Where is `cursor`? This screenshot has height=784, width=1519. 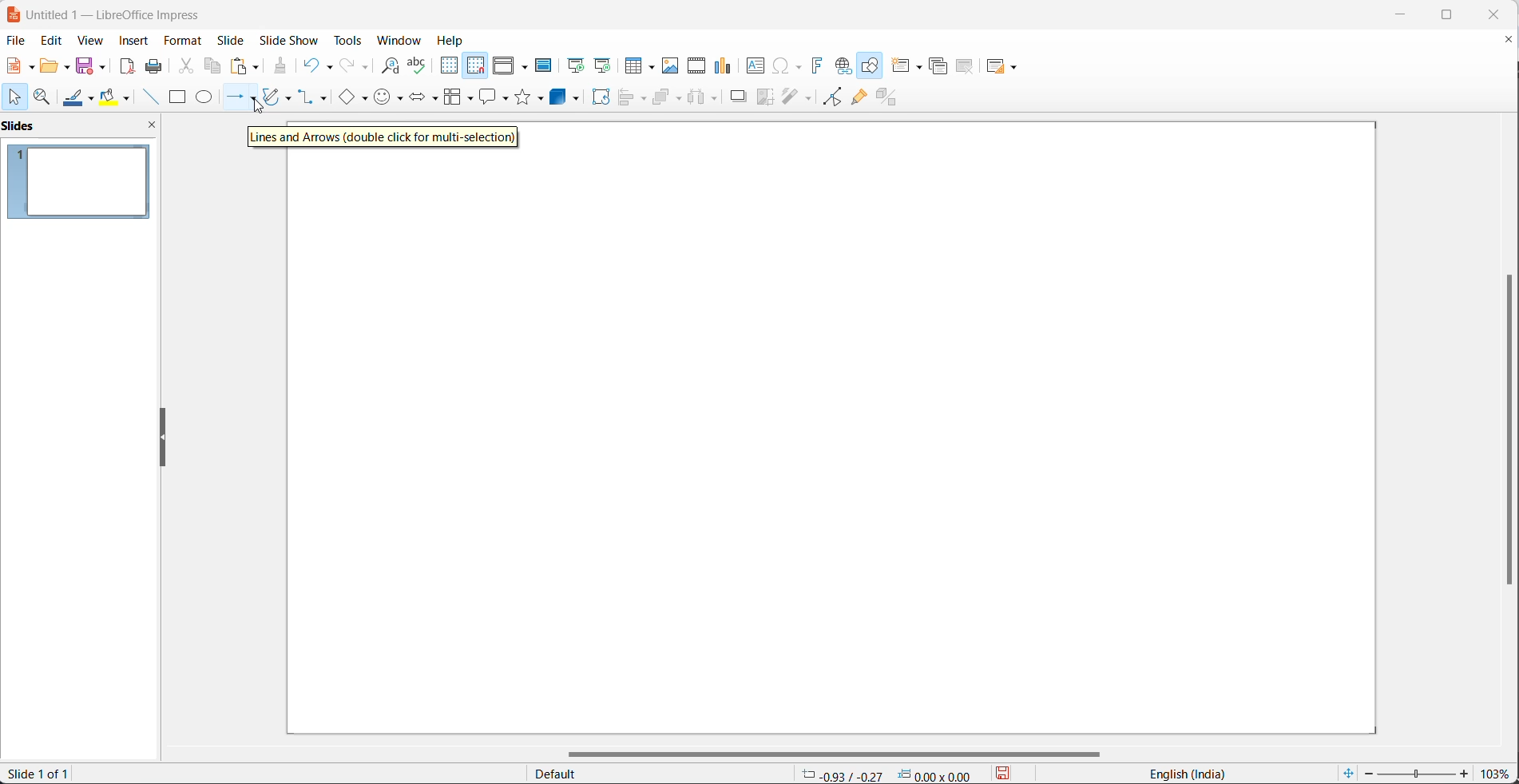 cursor is located at coordinates (260, 107).